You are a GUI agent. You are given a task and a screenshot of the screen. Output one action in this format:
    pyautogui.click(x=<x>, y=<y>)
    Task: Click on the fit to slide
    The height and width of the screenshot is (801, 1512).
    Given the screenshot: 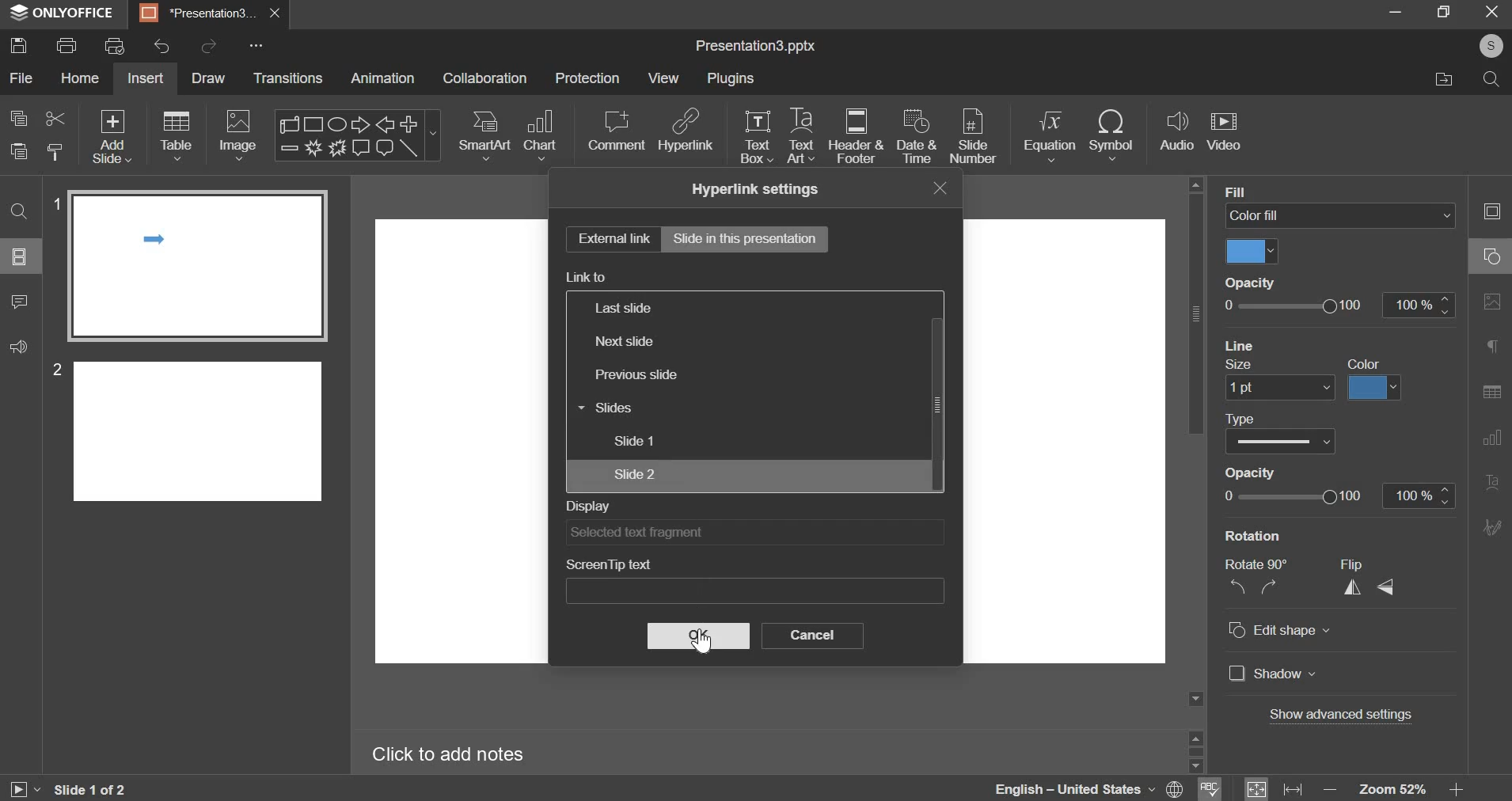 What is the action you would take?
    pyautogui.click(x=1256, y=789)
    